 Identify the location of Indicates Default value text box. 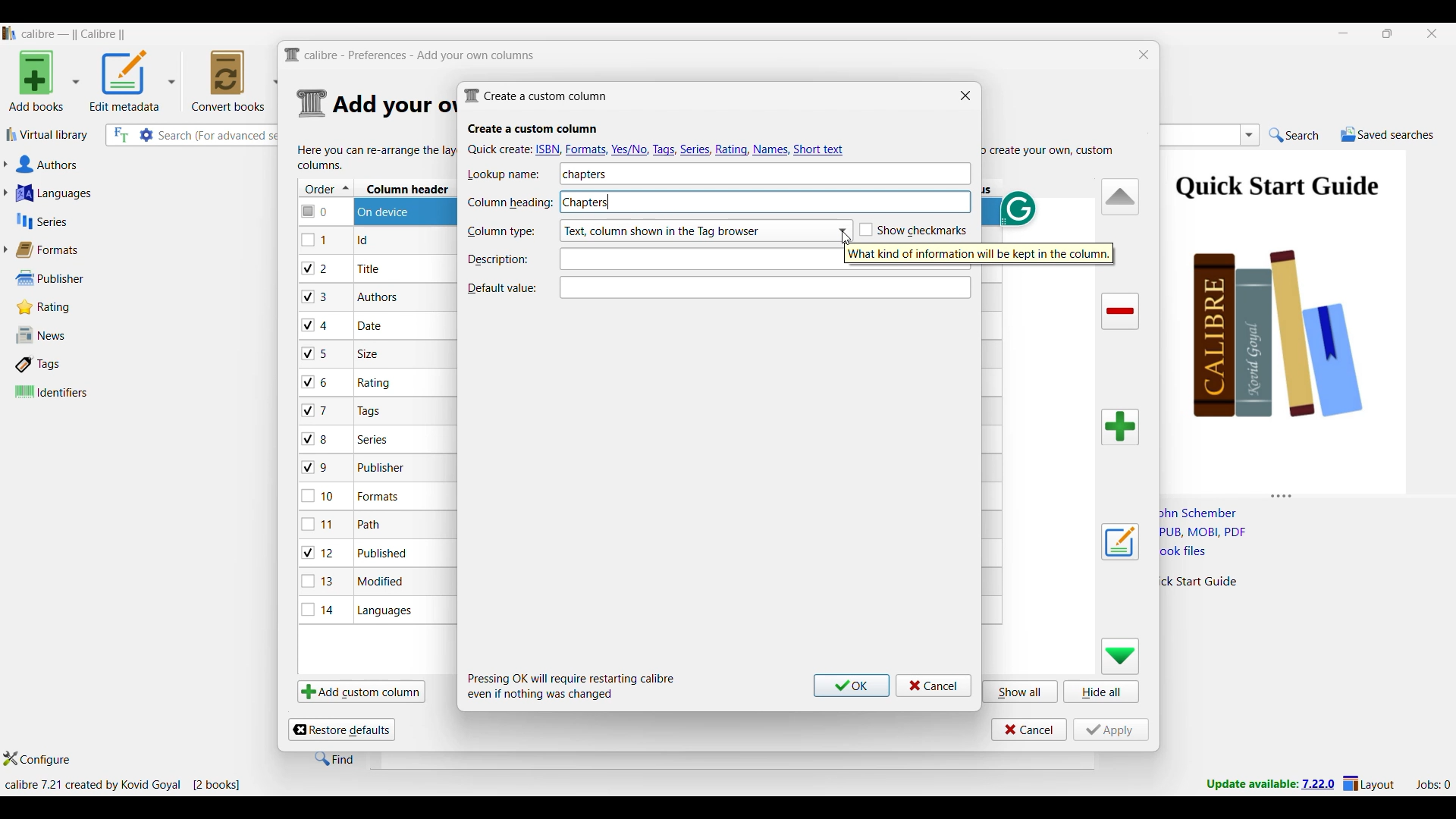
(501, 288).